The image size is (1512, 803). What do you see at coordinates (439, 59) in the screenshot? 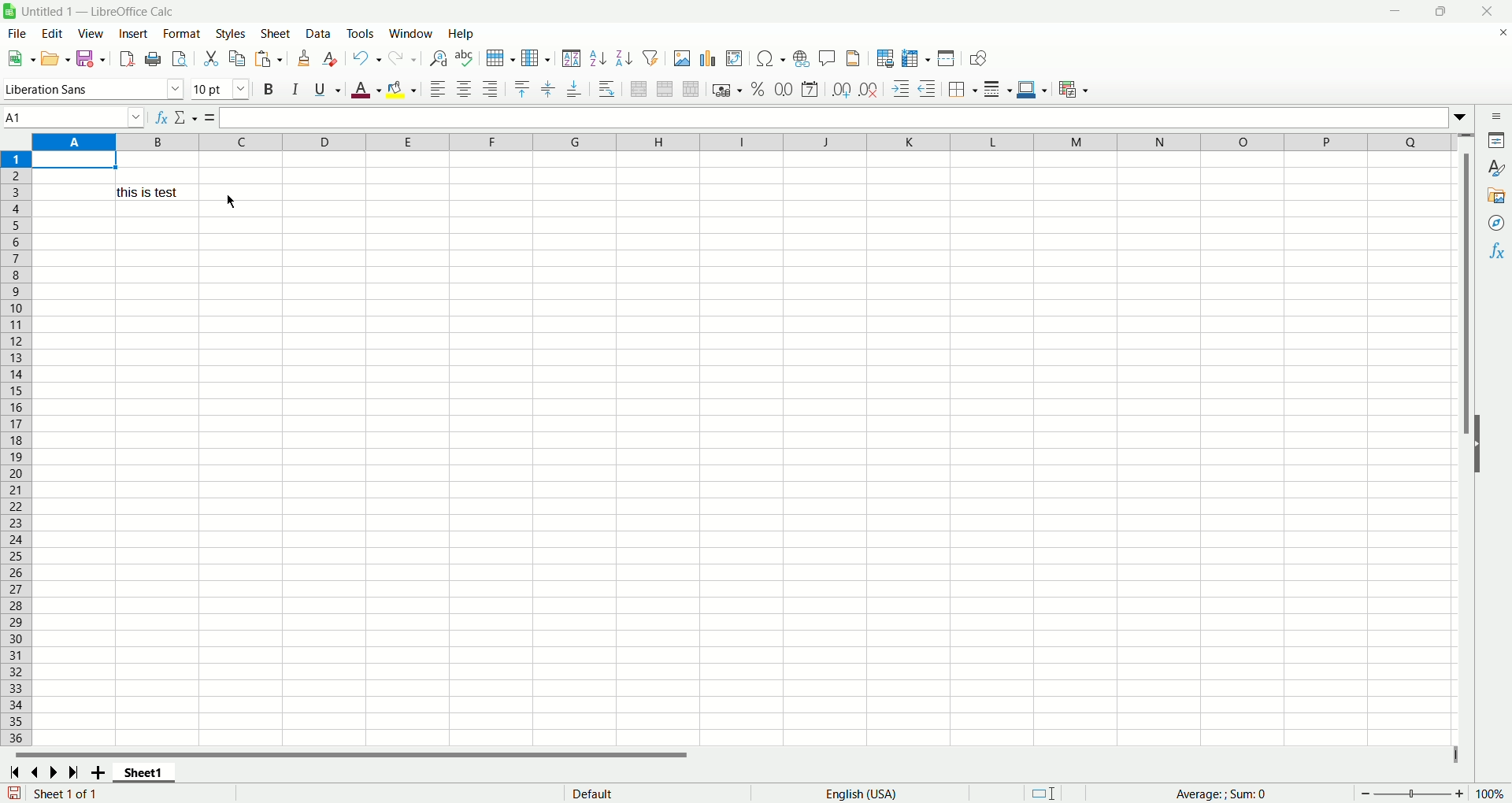
I see `find and replace` at bounding box center [439, 59].